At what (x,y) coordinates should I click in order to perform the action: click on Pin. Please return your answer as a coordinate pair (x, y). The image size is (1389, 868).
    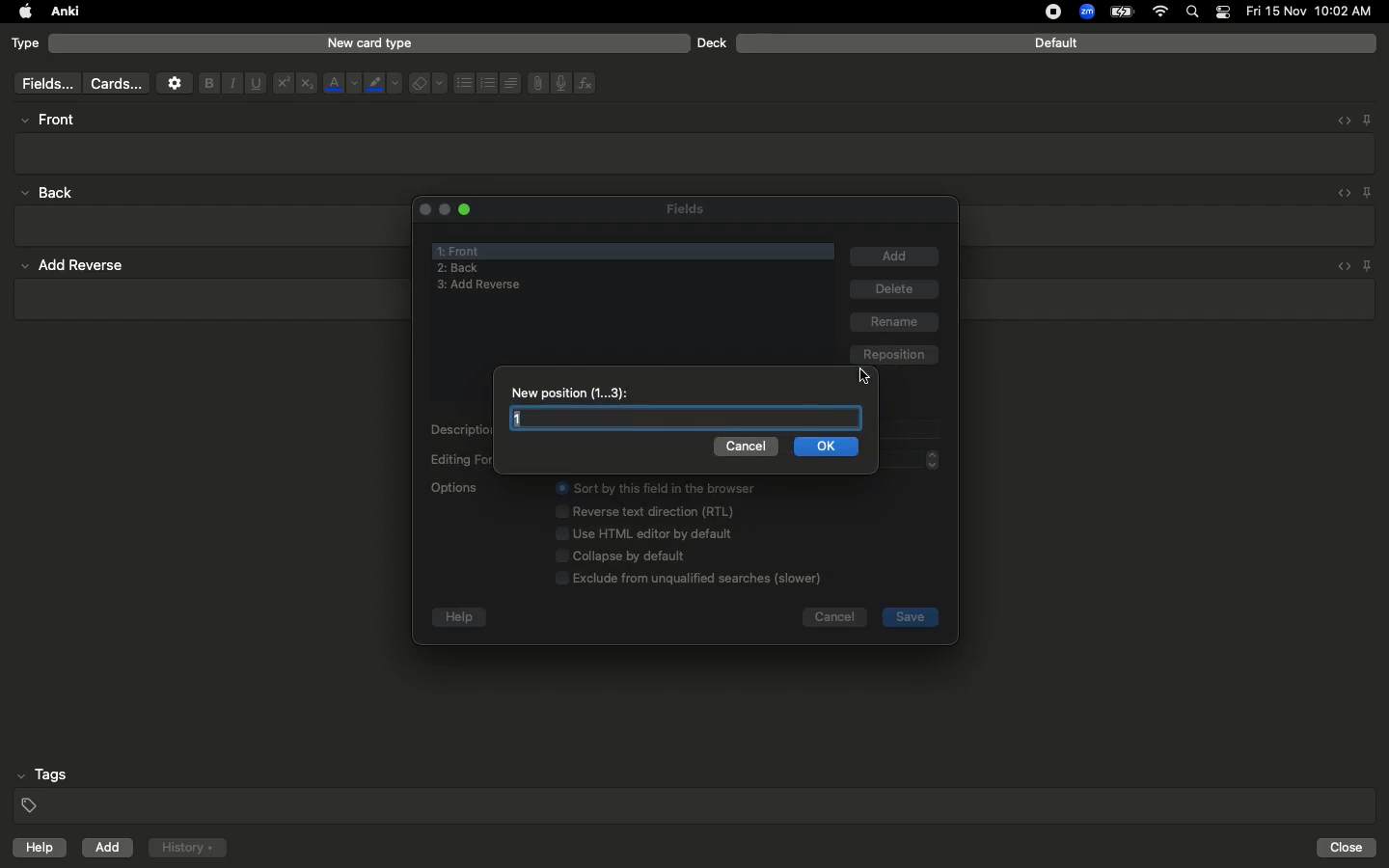
    Looking at the image, I should click on (1369, 192).